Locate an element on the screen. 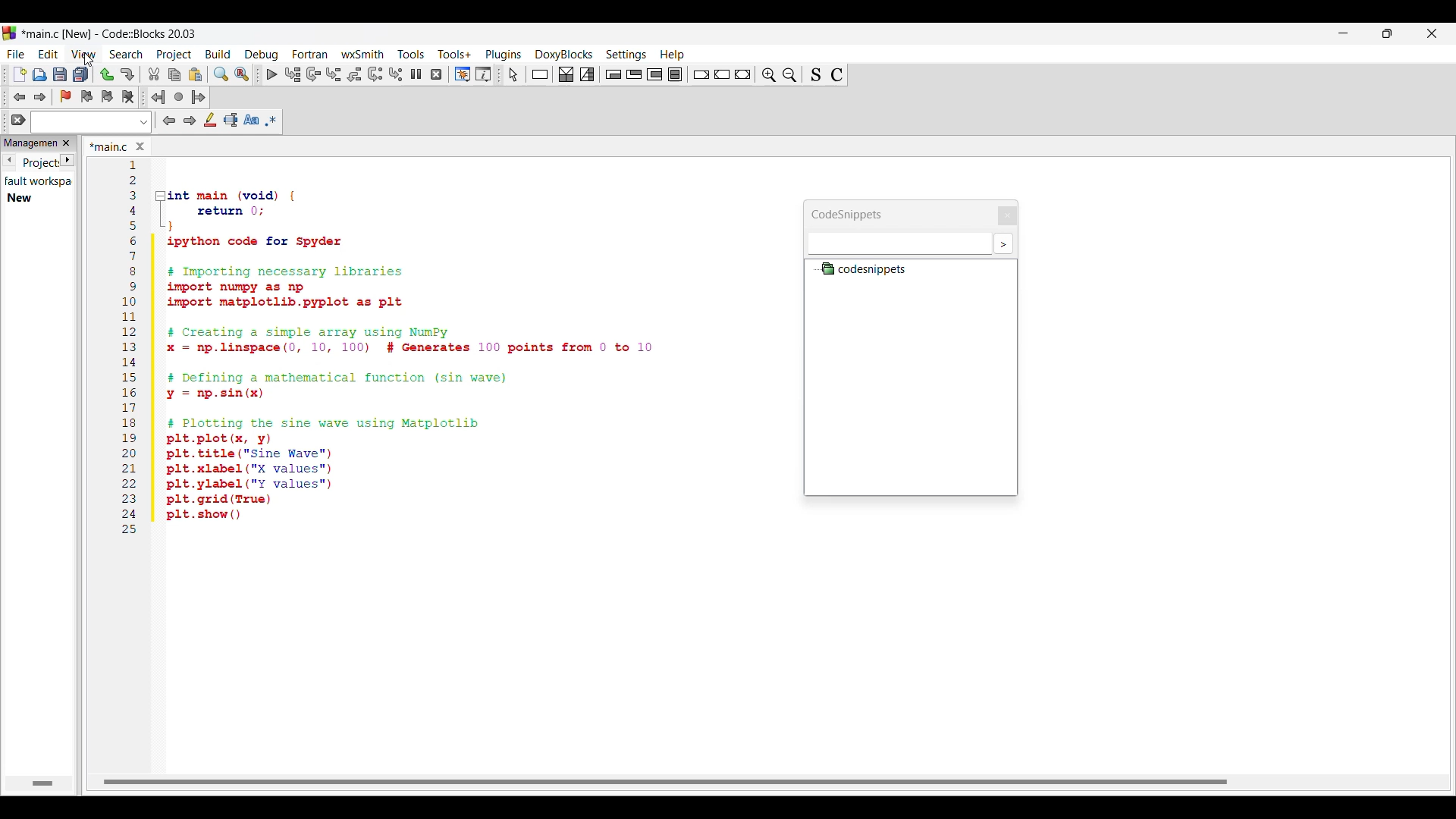  Step into instruction is located at coordinates (395, 74).